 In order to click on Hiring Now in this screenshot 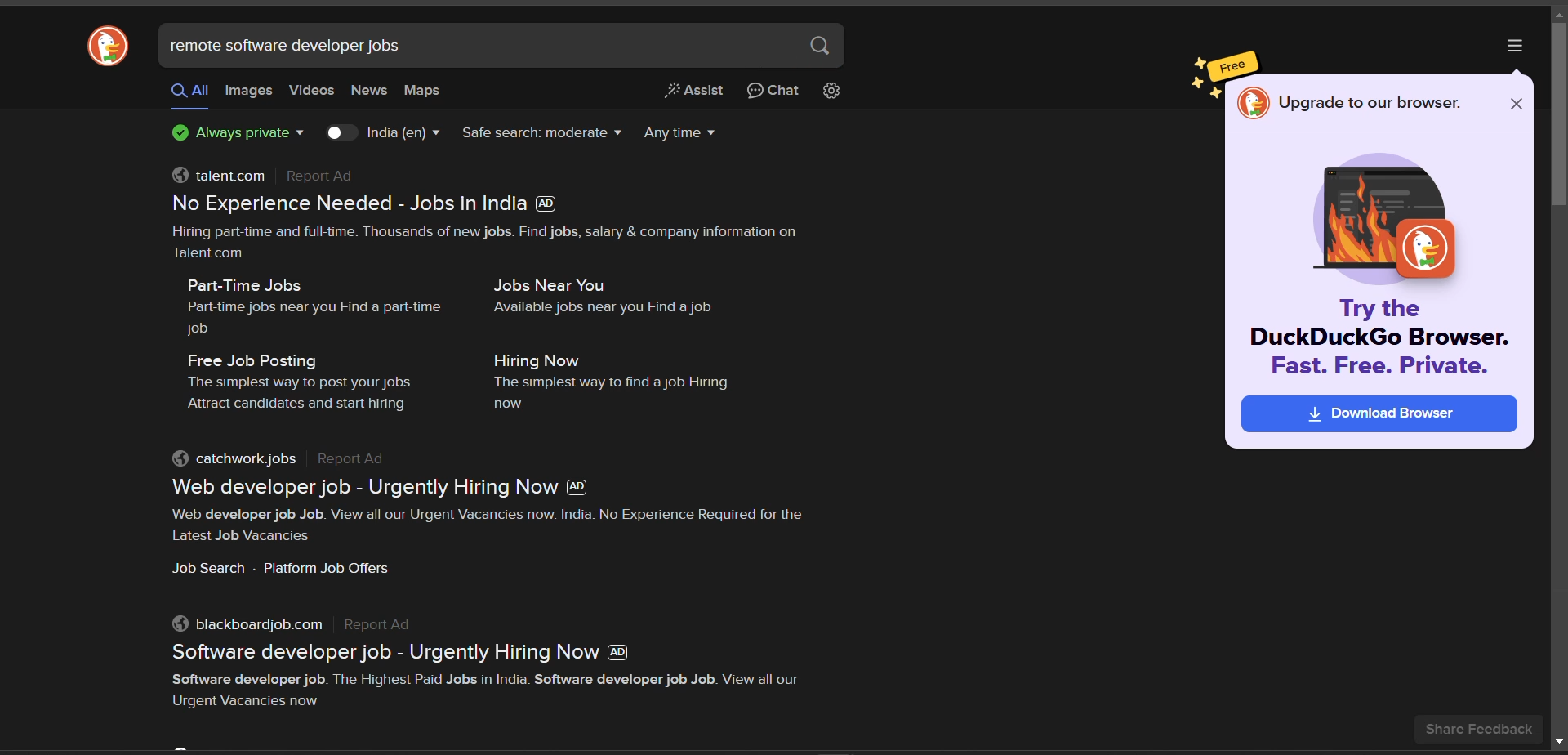, I will do `click(538, 360)`.